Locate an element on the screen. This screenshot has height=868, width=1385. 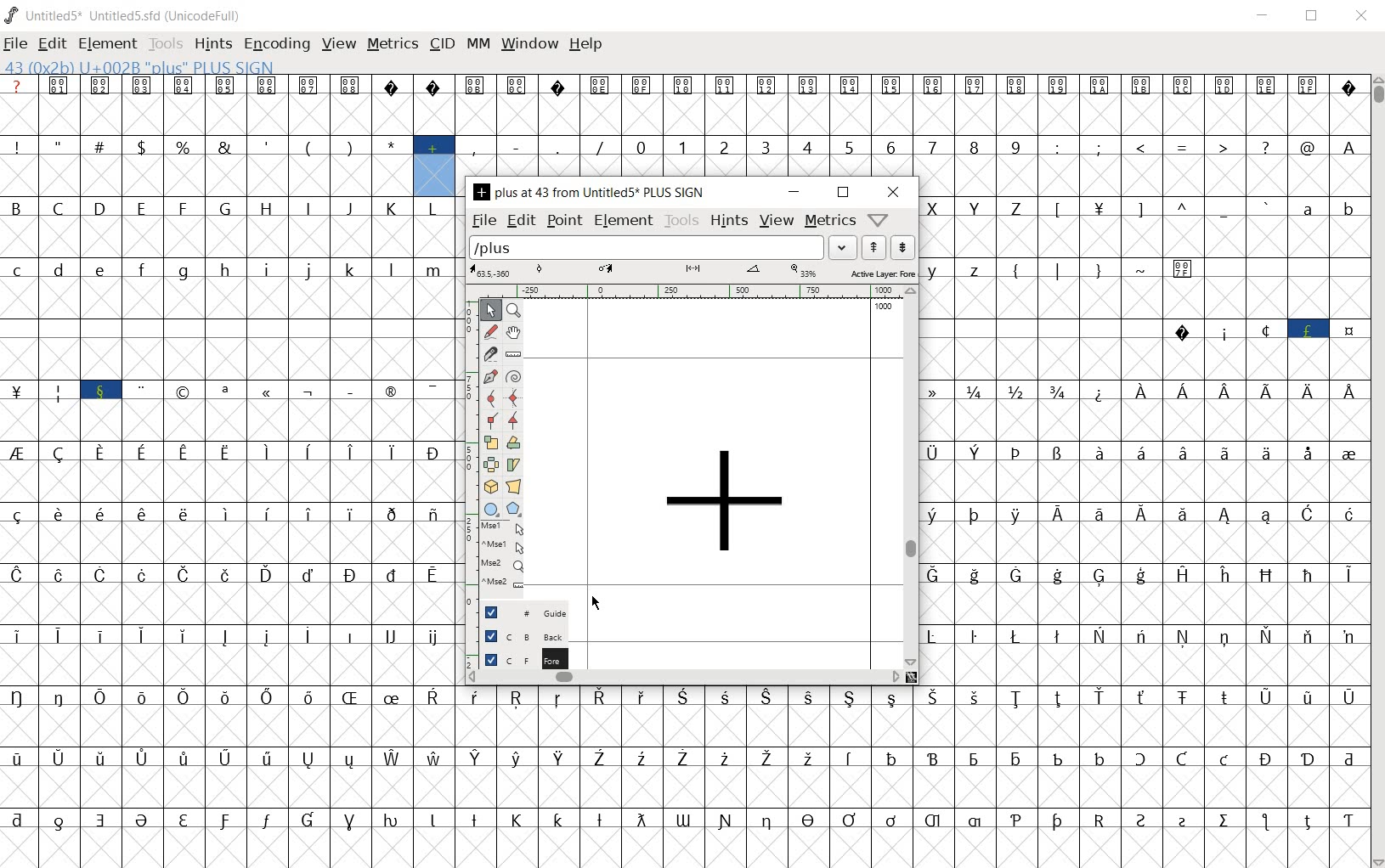
scale the selection is located at coordinates (490, 442).